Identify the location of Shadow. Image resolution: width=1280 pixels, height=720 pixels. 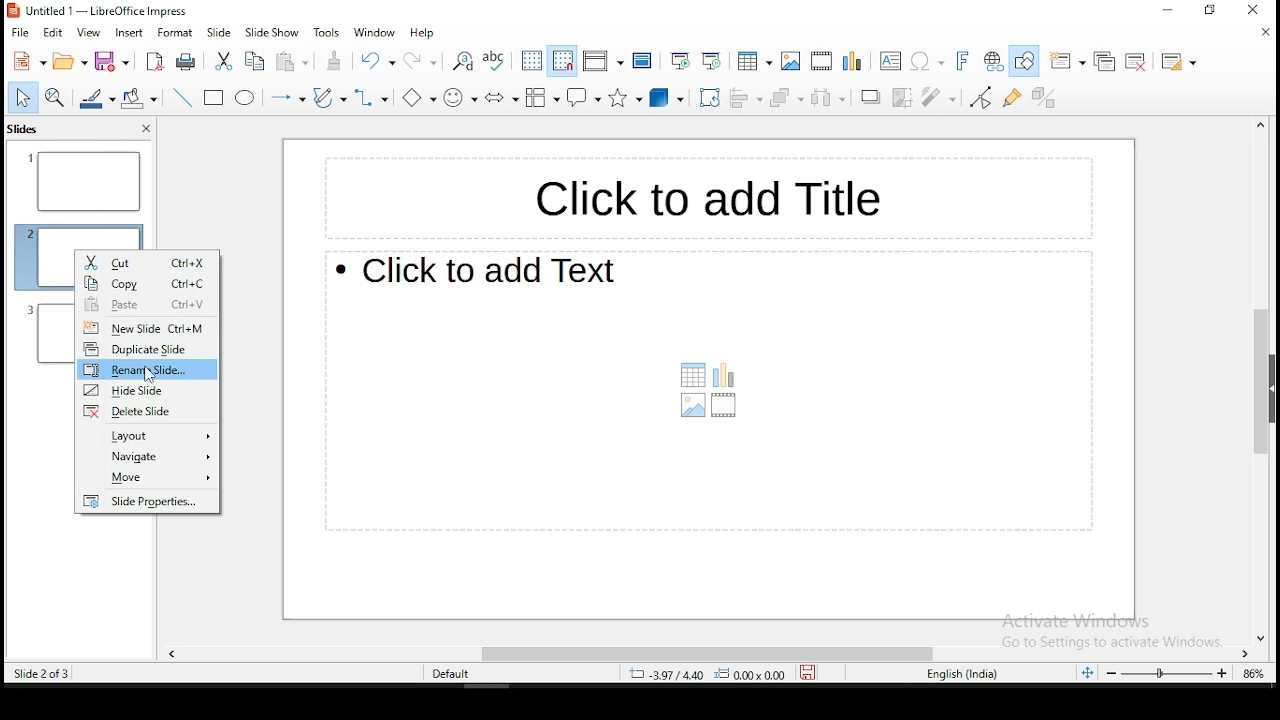
(871, 96).